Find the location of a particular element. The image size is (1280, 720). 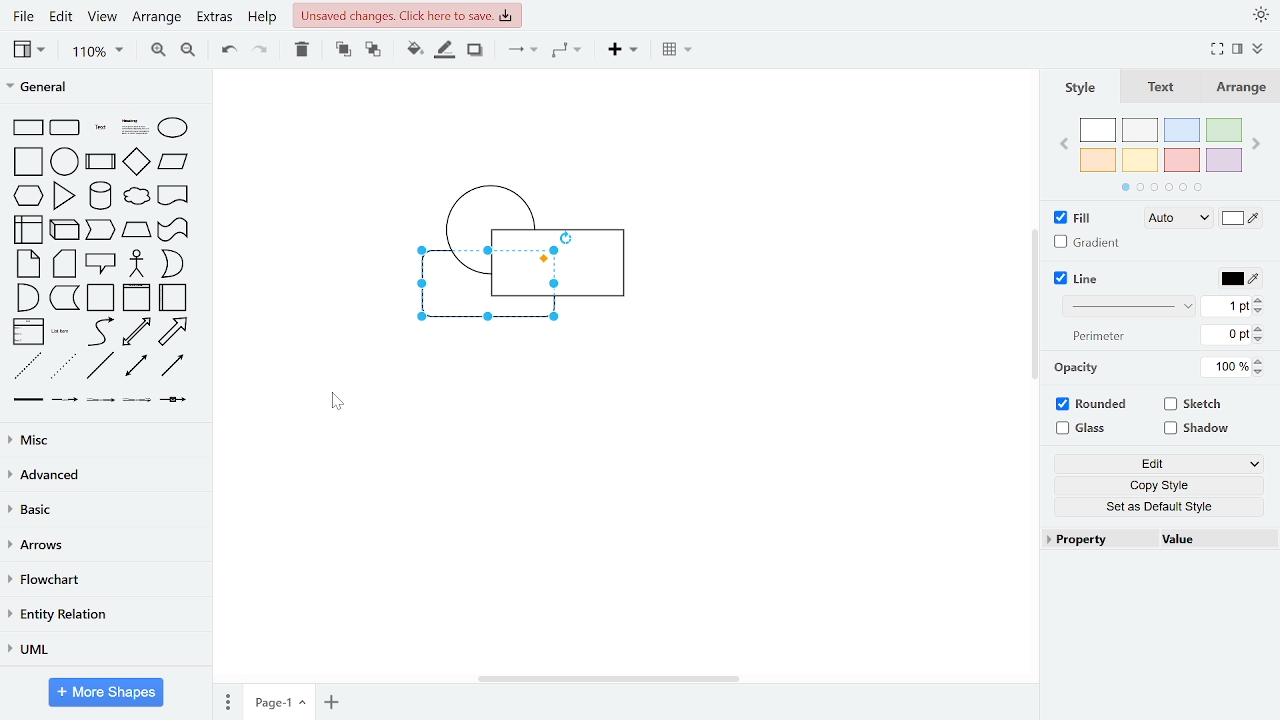

callout is located at coordinates (101, 262).